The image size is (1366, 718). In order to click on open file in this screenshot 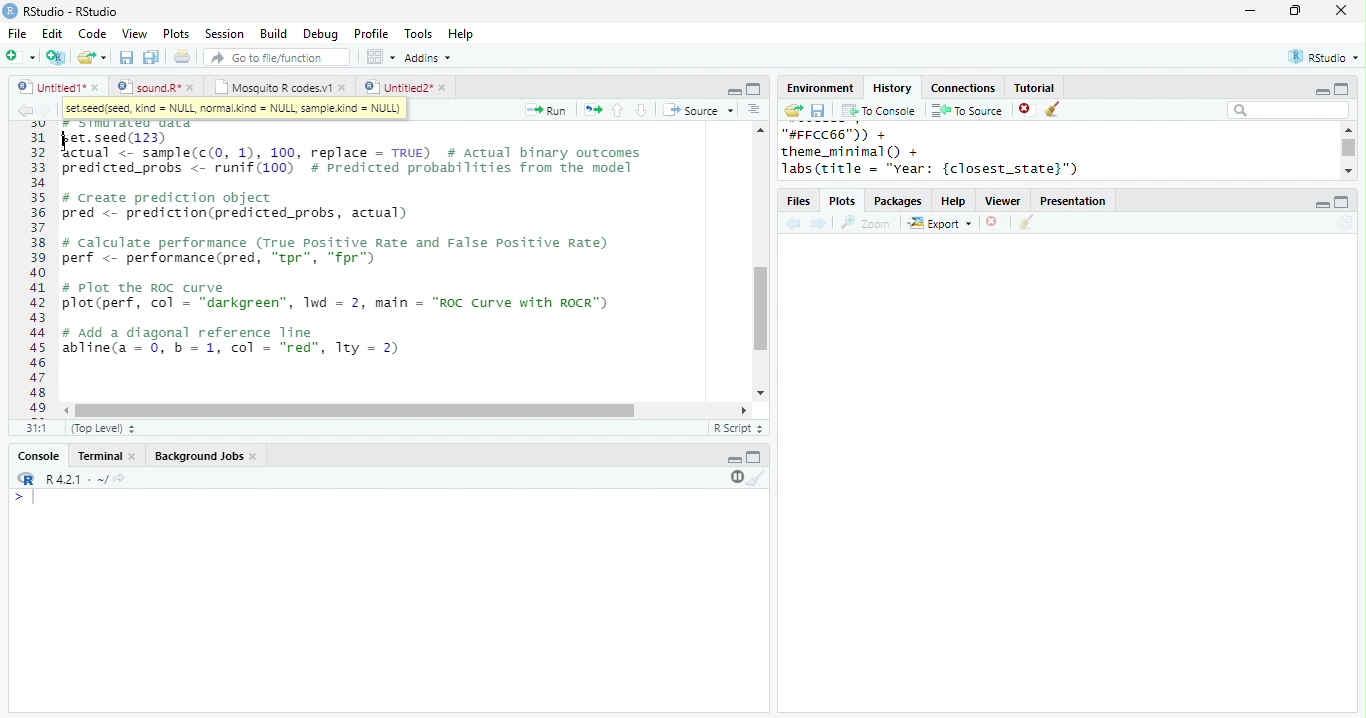, I will do `click(92, 57)`.